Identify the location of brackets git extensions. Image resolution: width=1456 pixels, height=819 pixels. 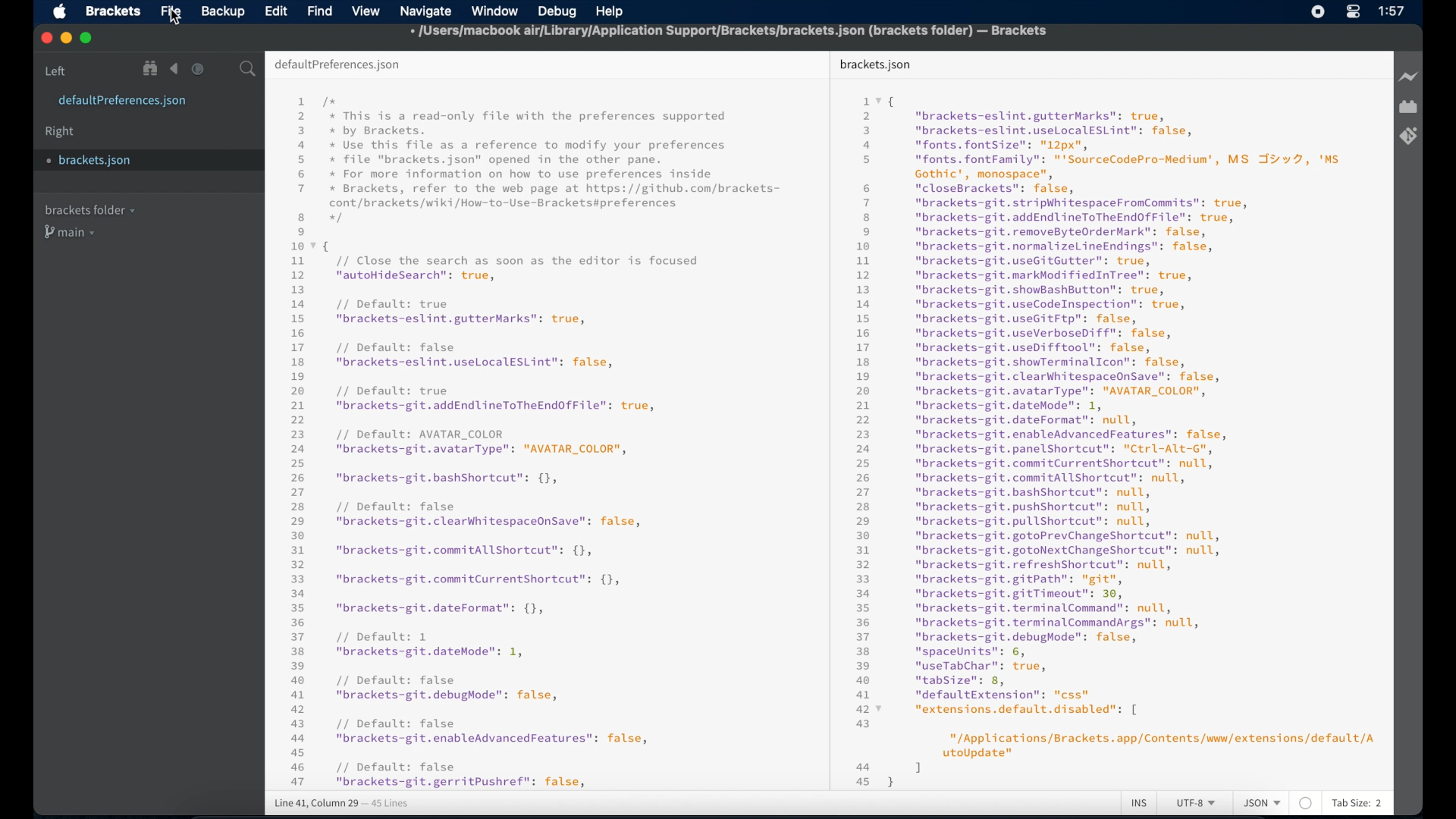
(1408, 136).